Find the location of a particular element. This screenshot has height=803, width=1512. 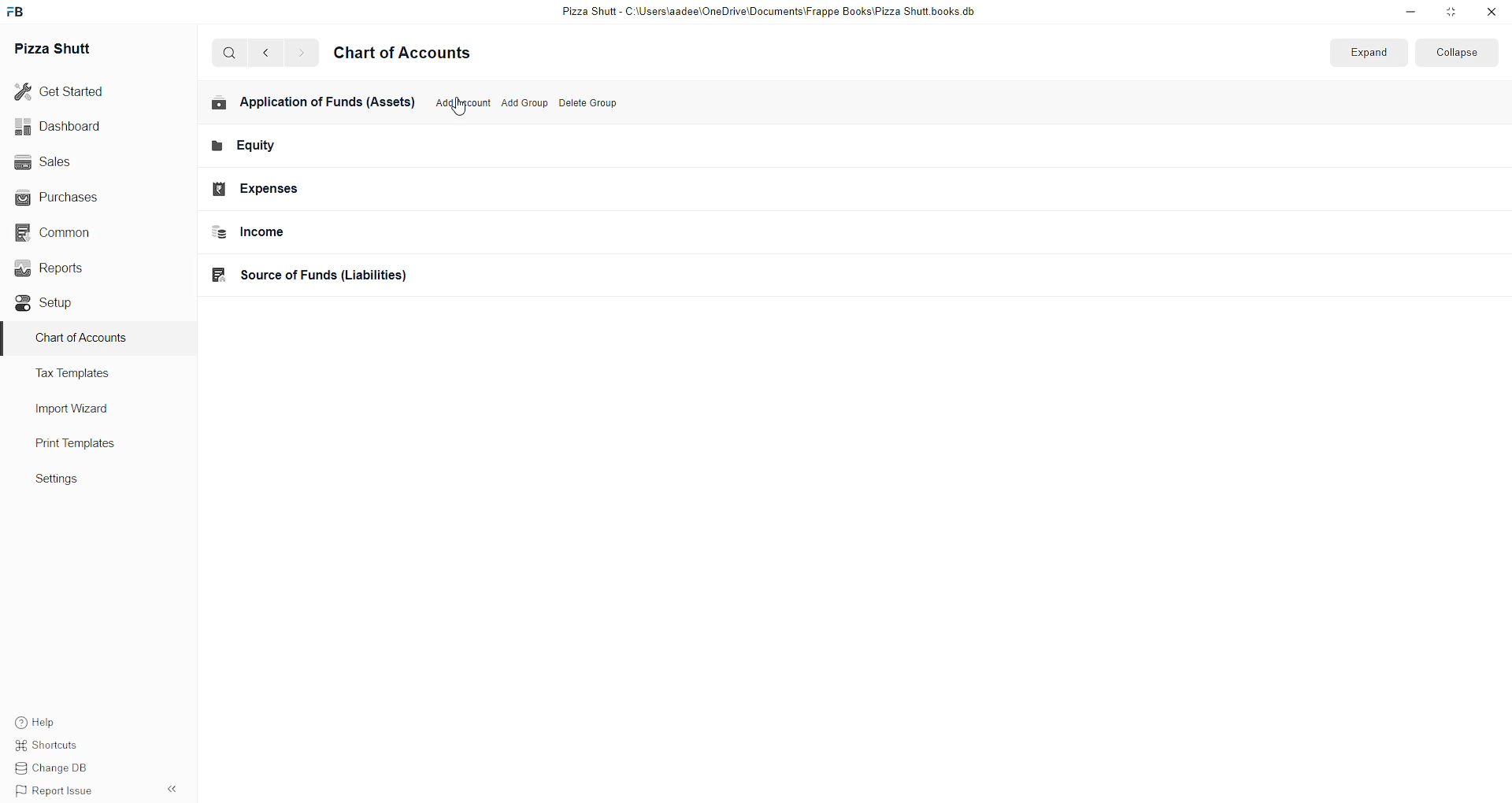

go back  is located at coordinates (269, 53).